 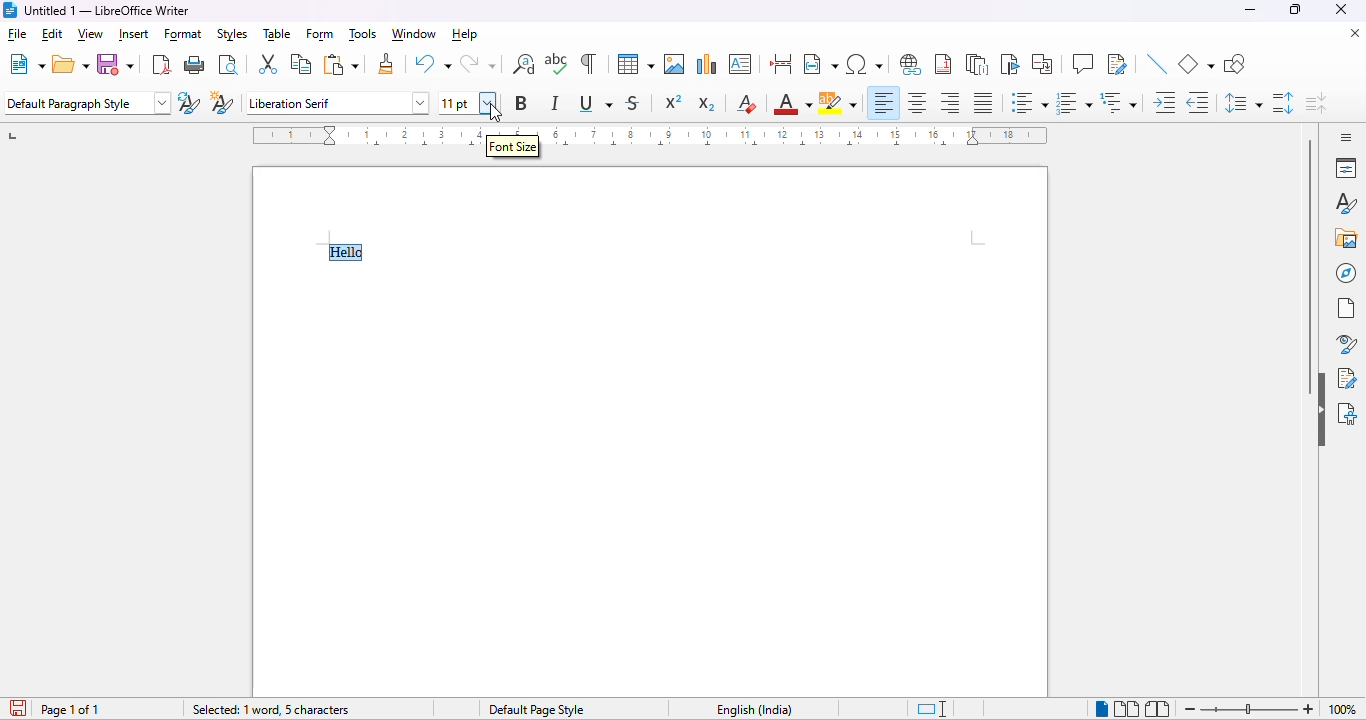 What do you see at coordinates (792, 103) in the screenshot?
I see `font color` at bounding box center [792, 103].